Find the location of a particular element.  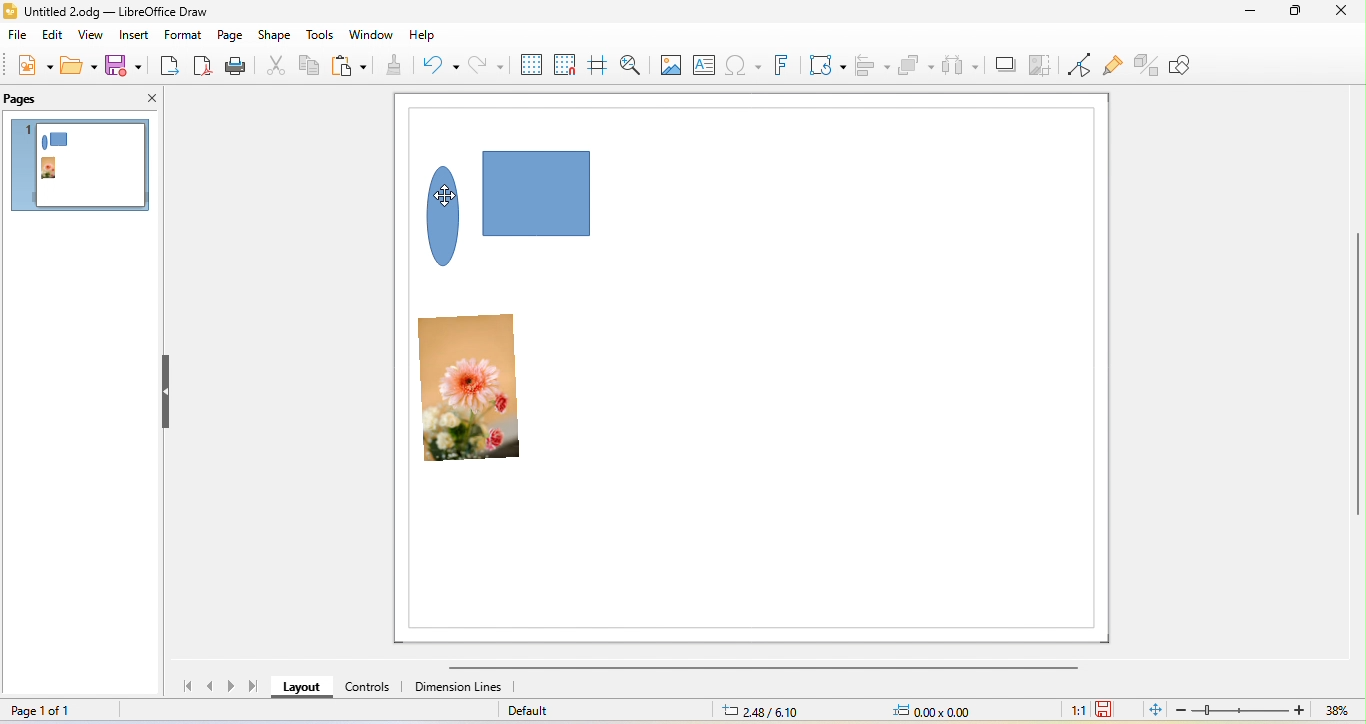

image is located at coordinates (673, 64).